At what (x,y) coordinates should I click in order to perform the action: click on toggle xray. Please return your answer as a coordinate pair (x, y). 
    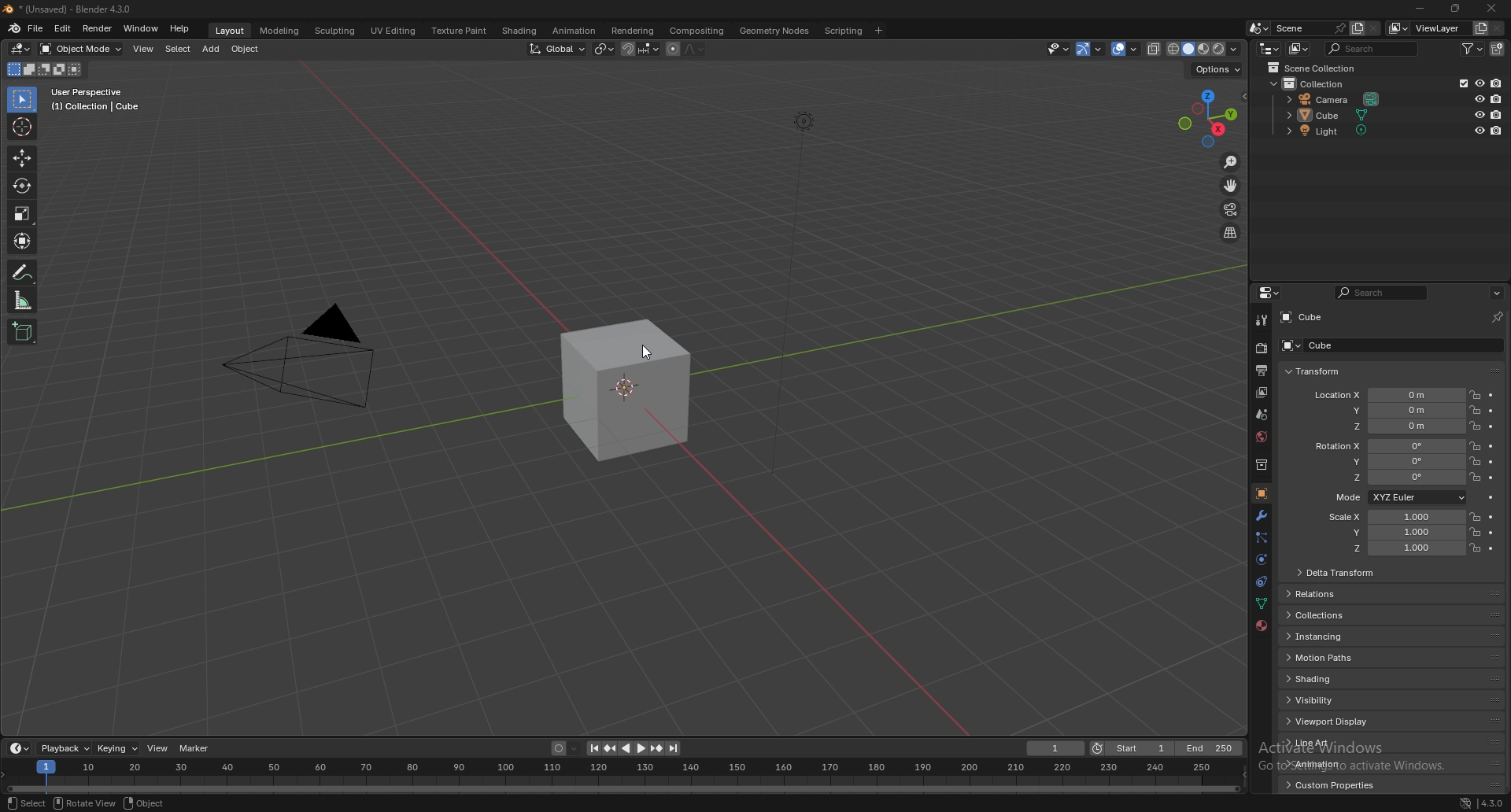
    Looking at the image, I should click on (1155, 50).